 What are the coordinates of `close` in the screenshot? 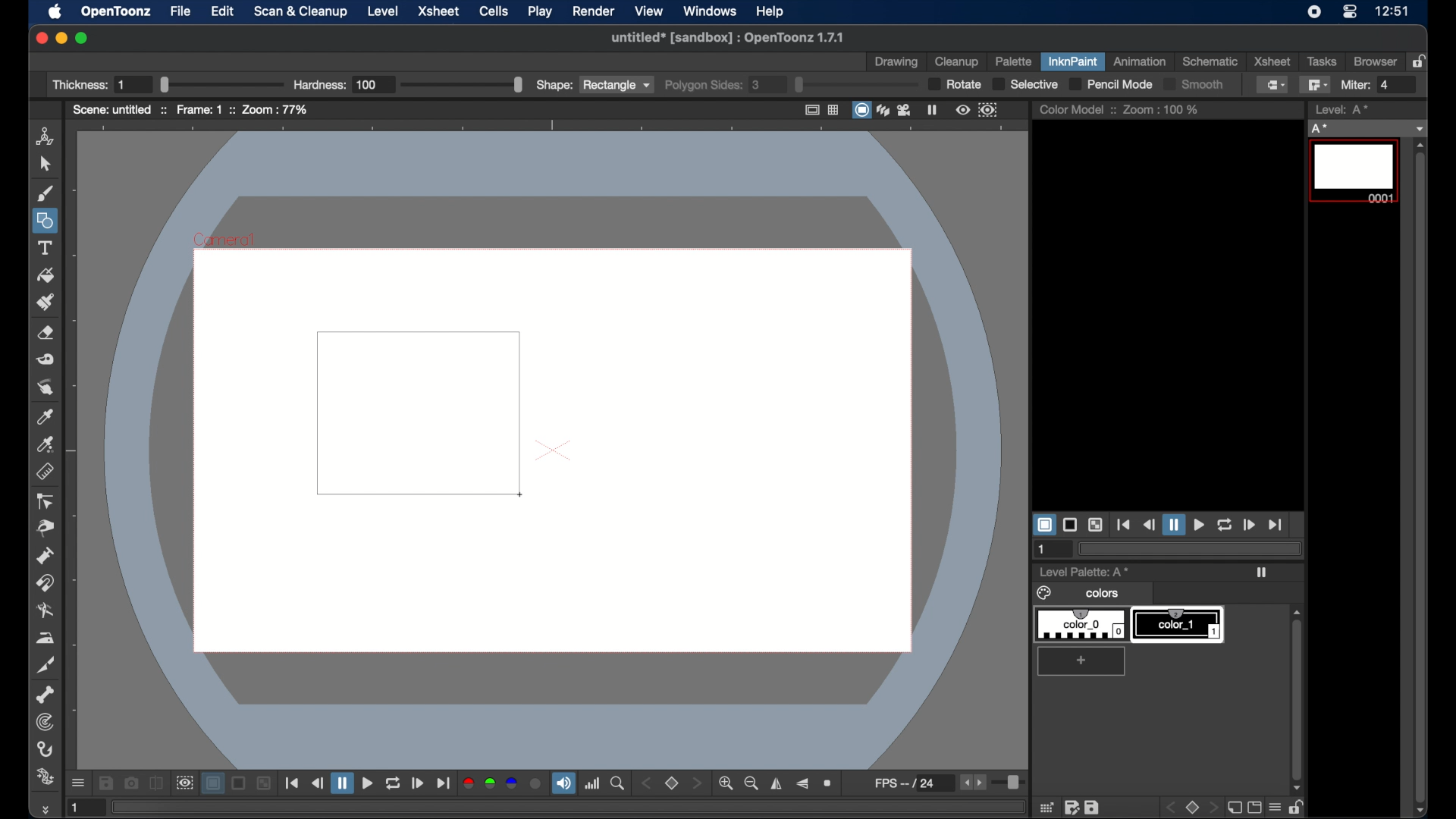 It's located at (40, 39).